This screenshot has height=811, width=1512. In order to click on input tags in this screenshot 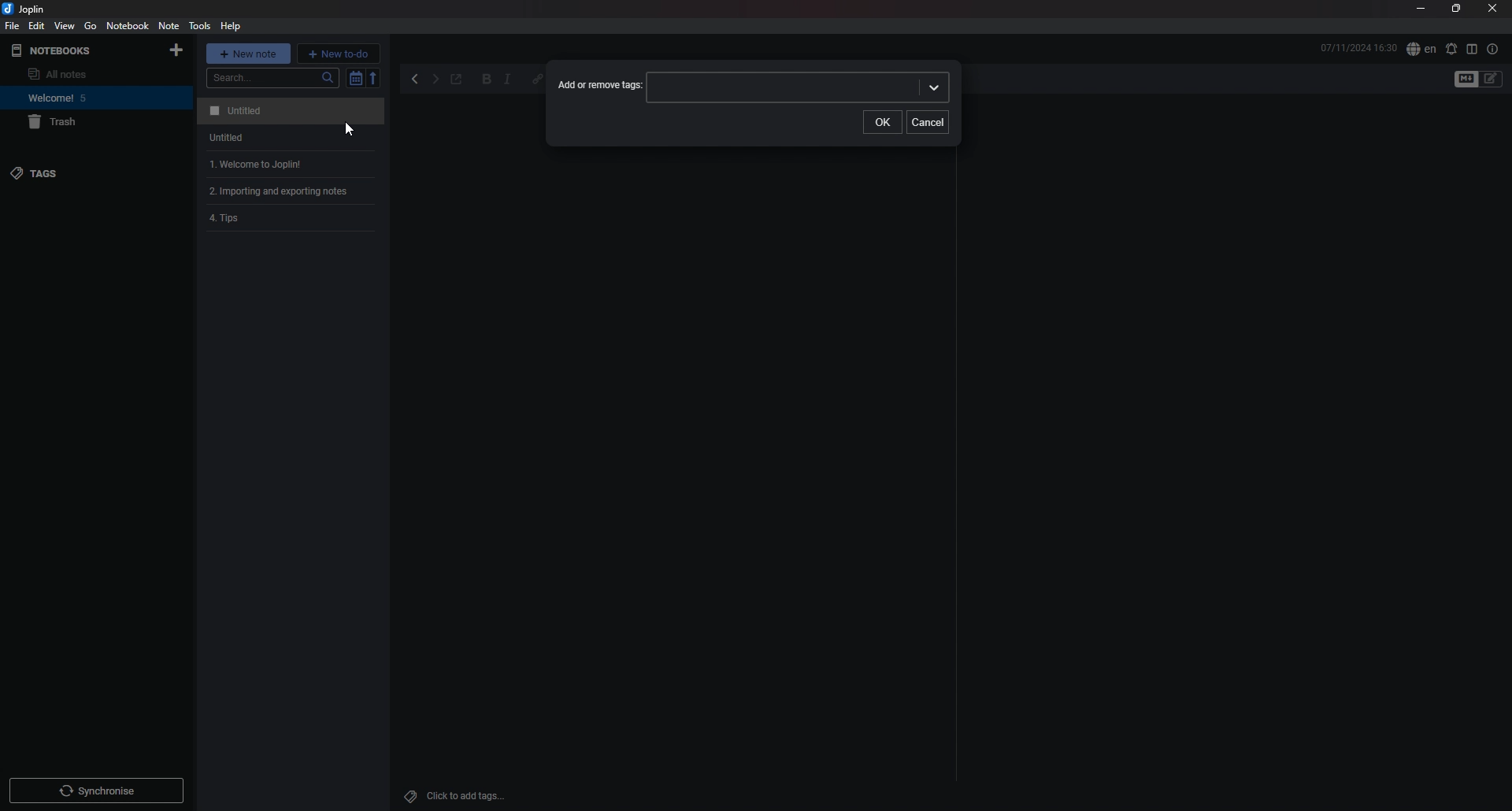, I will do `click(799, 86)`.